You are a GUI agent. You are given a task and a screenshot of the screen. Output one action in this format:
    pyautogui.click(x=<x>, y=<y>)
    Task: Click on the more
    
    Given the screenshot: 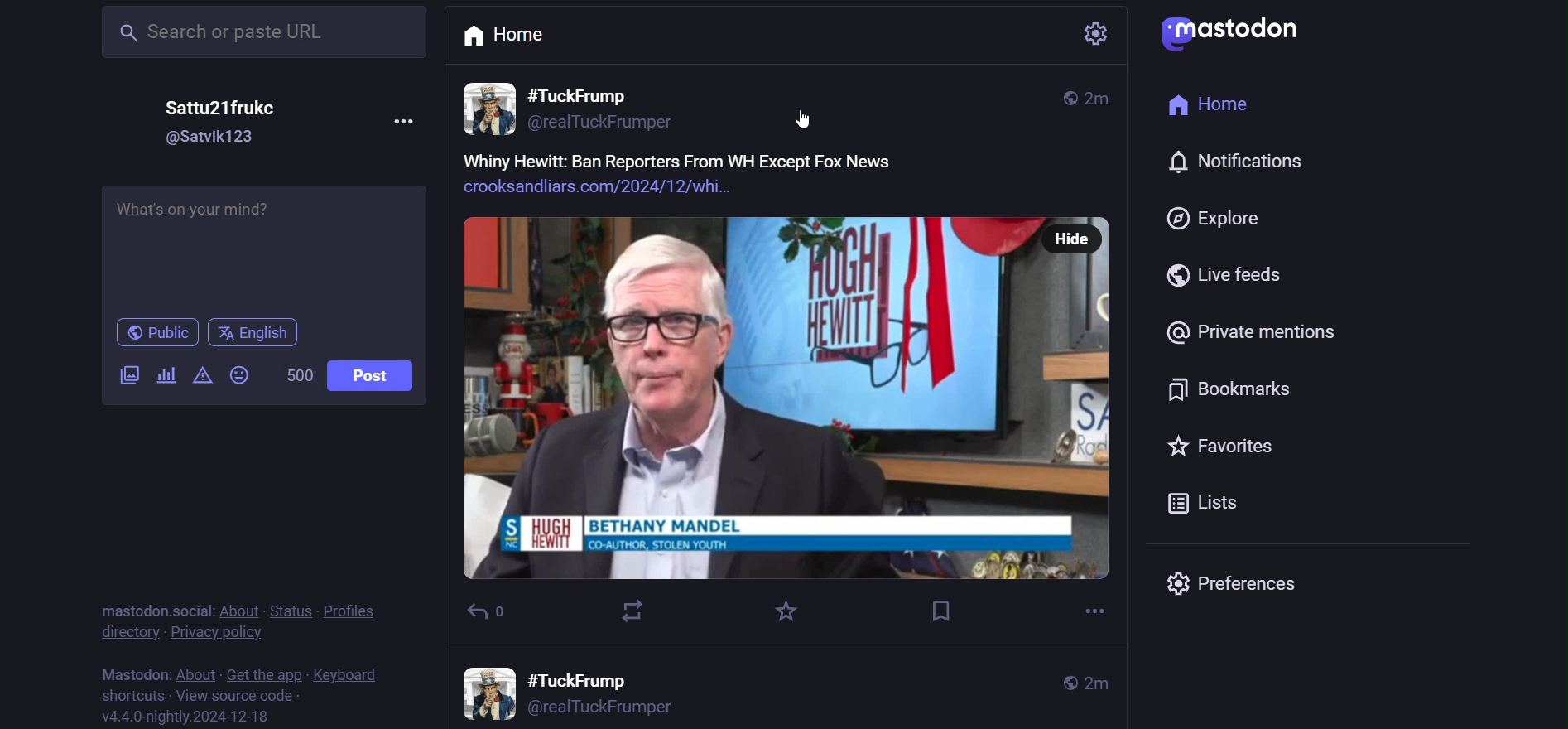 What is the action you would take?
    pyautogui.click(x=1089, y=608)
    